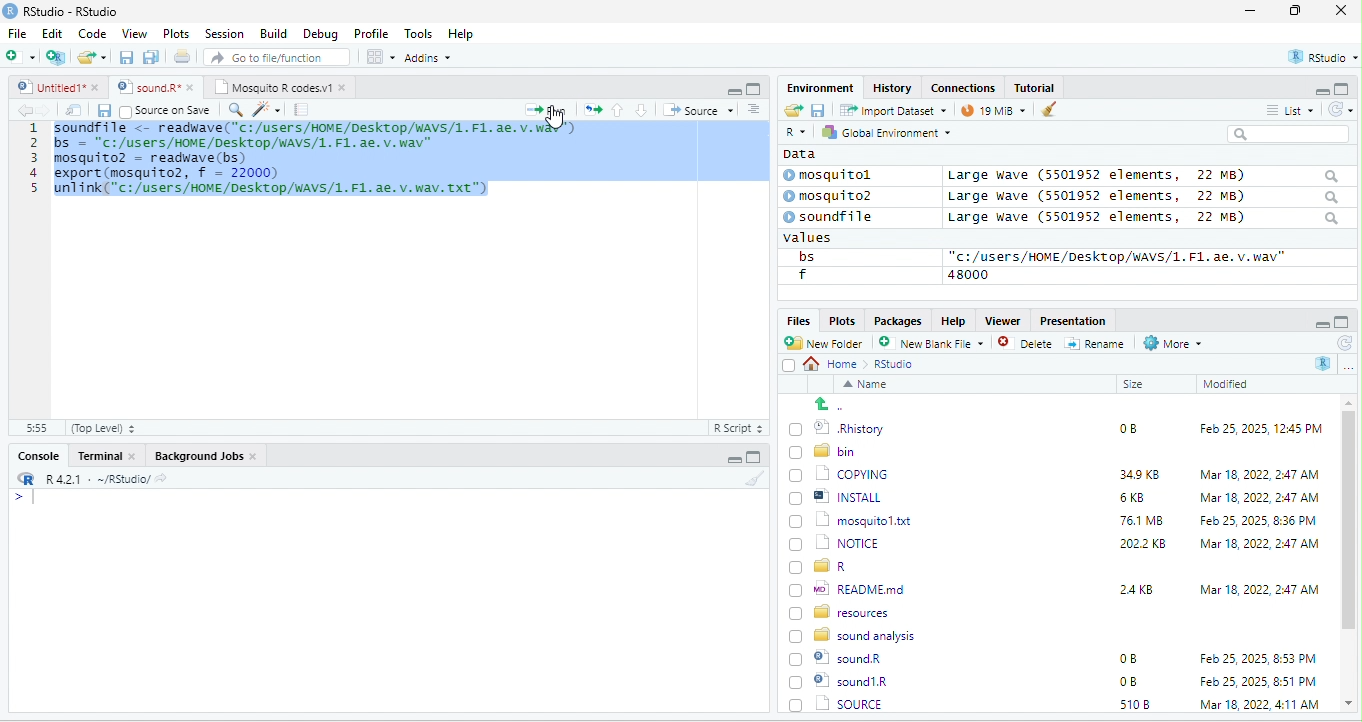 The height and width of the screenshot is (722, 1362). What do you see at coordinates (818, 238) in the screenshot?
I see `values` at bounding box center [818, 238].